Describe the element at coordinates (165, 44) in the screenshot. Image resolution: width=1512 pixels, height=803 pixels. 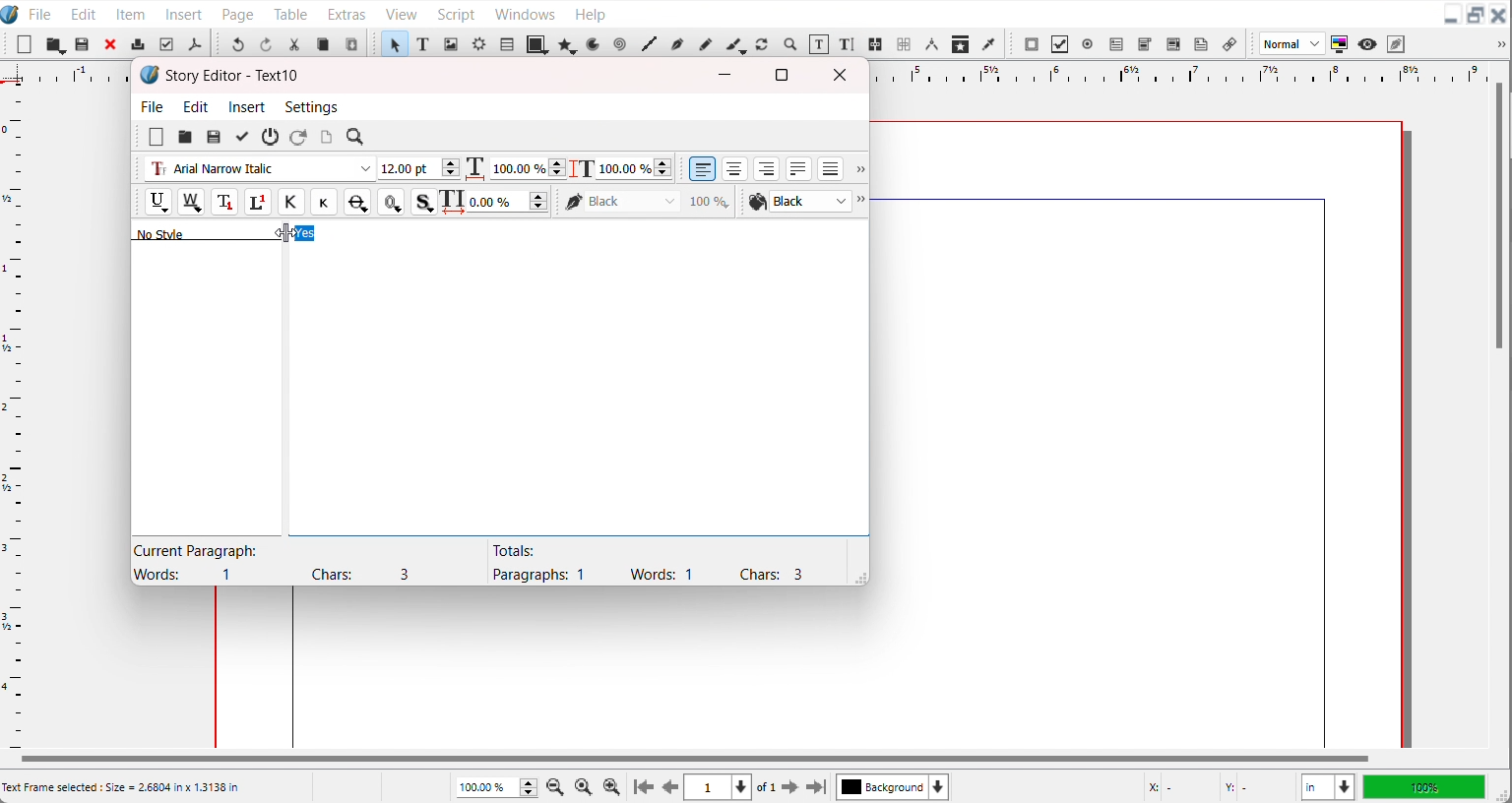
I see `Preflight verifier` at that location.